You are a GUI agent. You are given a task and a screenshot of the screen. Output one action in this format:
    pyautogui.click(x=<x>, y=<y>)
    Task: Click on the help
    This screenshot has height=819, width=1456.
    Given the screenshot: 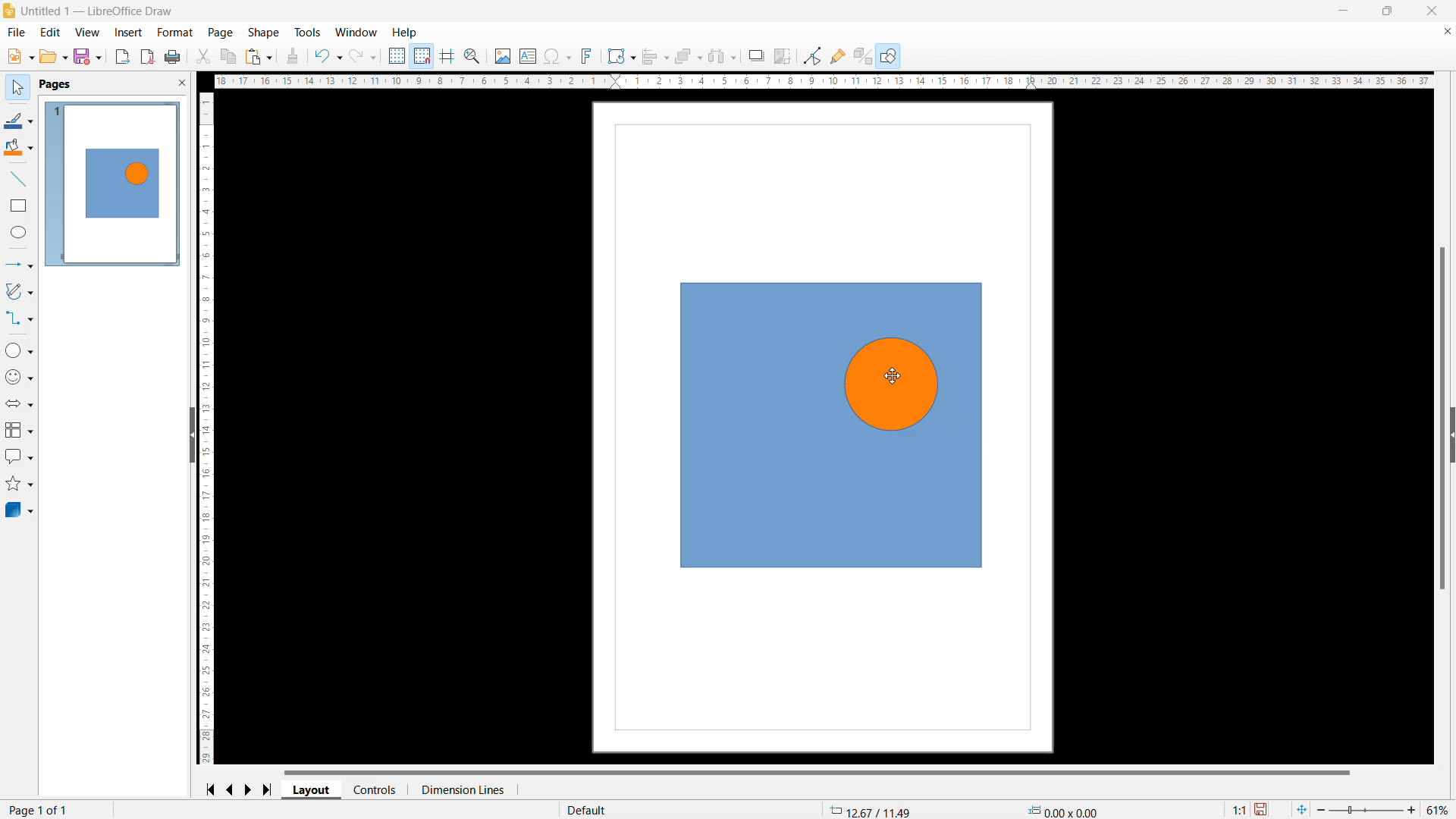 What is the action you would take?
    pyautogui.click(x=404, y=32)
    